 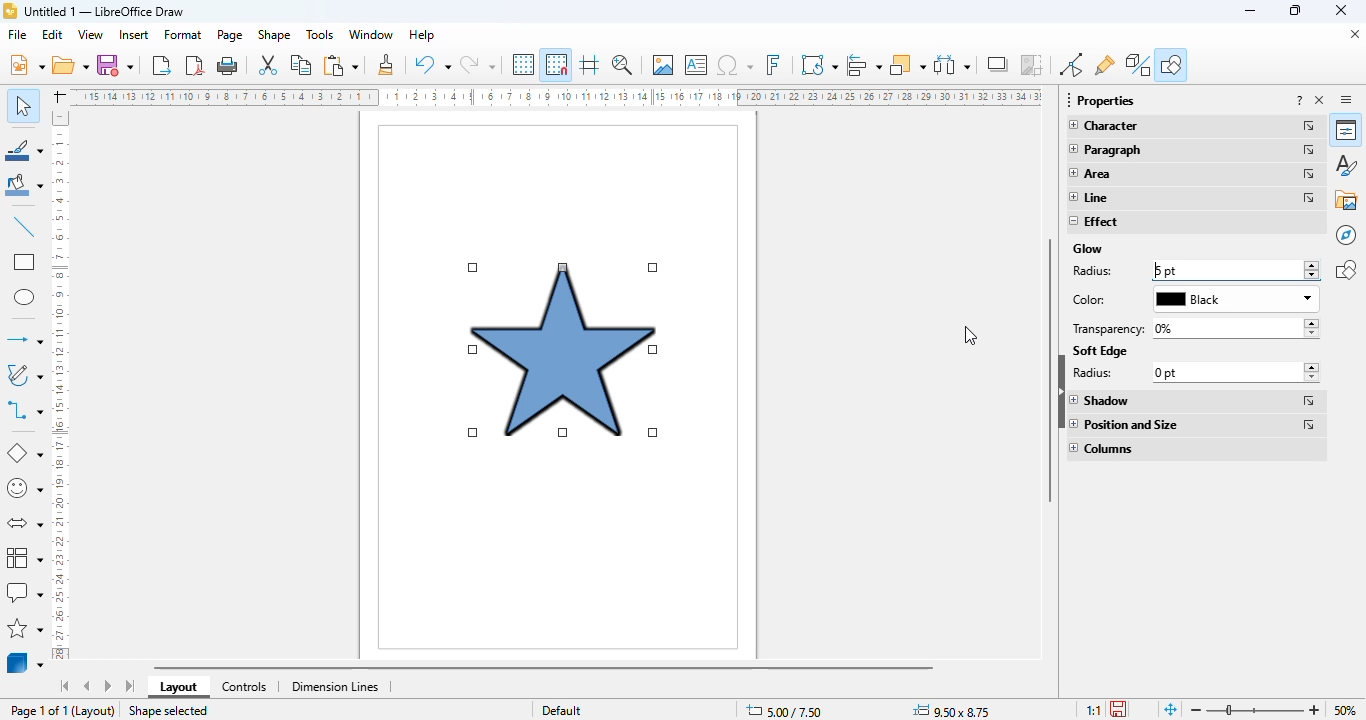 I want to click on show gluepoint functions , so click(x=1105, y=65).